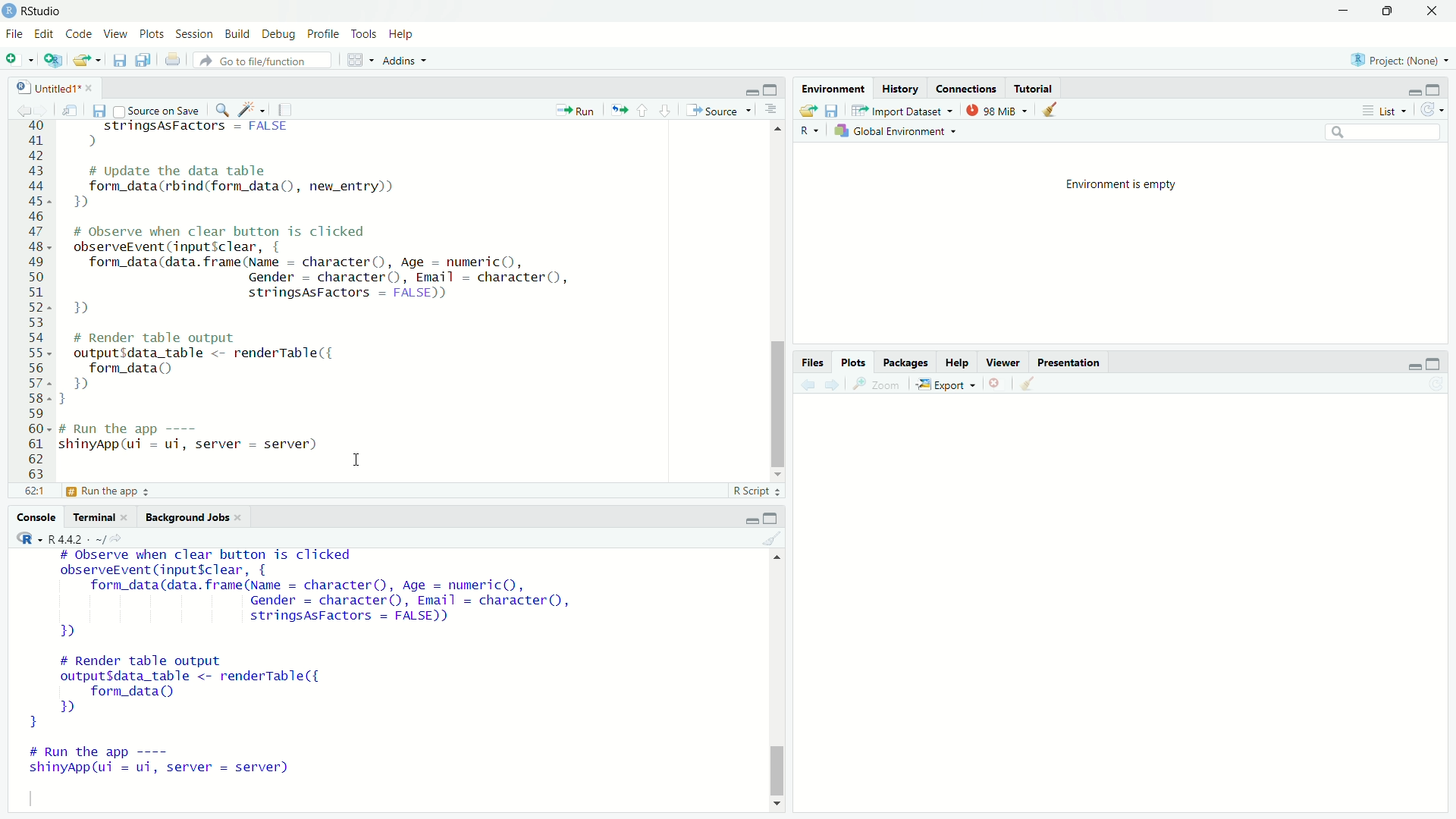 This screenshot has height=819, width=1456. Describe the element at coordinates (1382, 111) in the screenshot. I see `list` at that location.